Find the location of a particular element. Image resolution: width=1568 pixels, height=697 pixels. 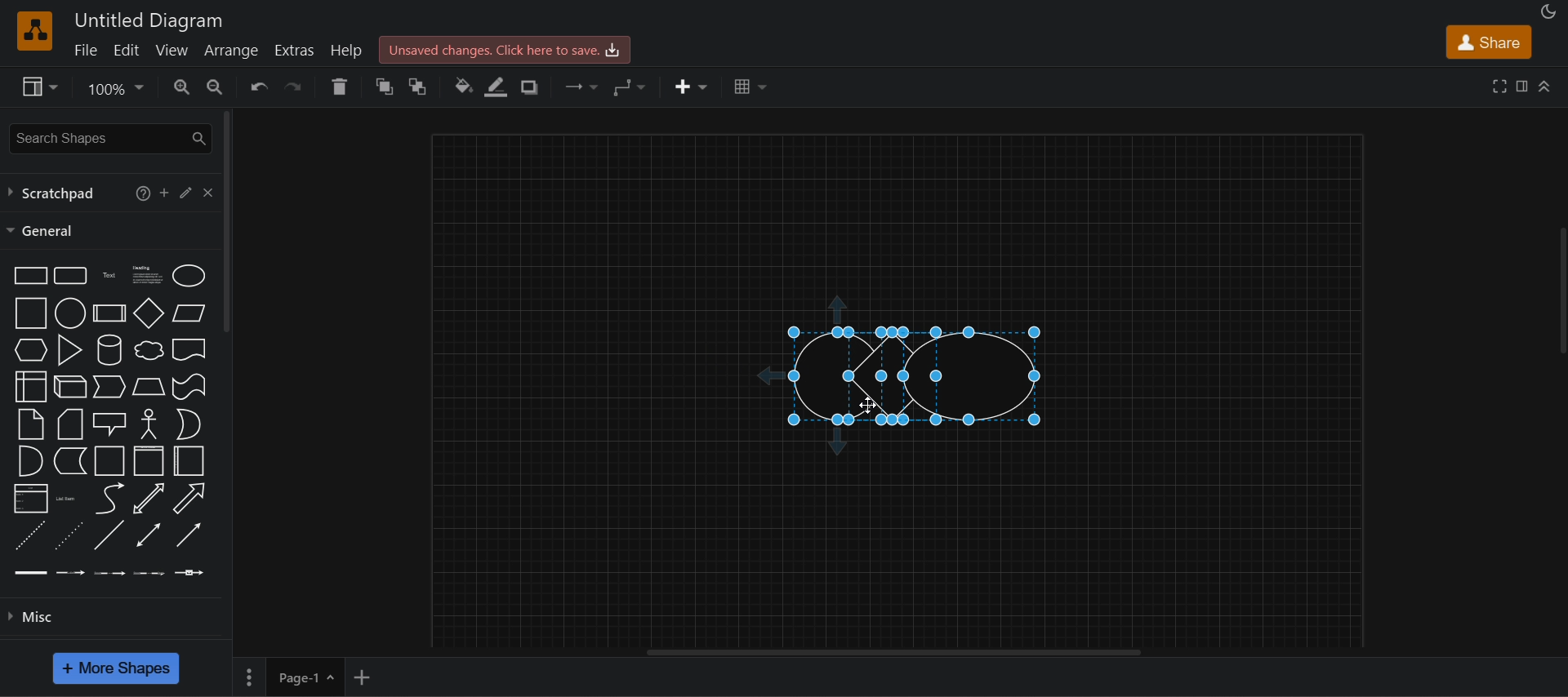

connector with symbol is located at coordinates (190, 570).